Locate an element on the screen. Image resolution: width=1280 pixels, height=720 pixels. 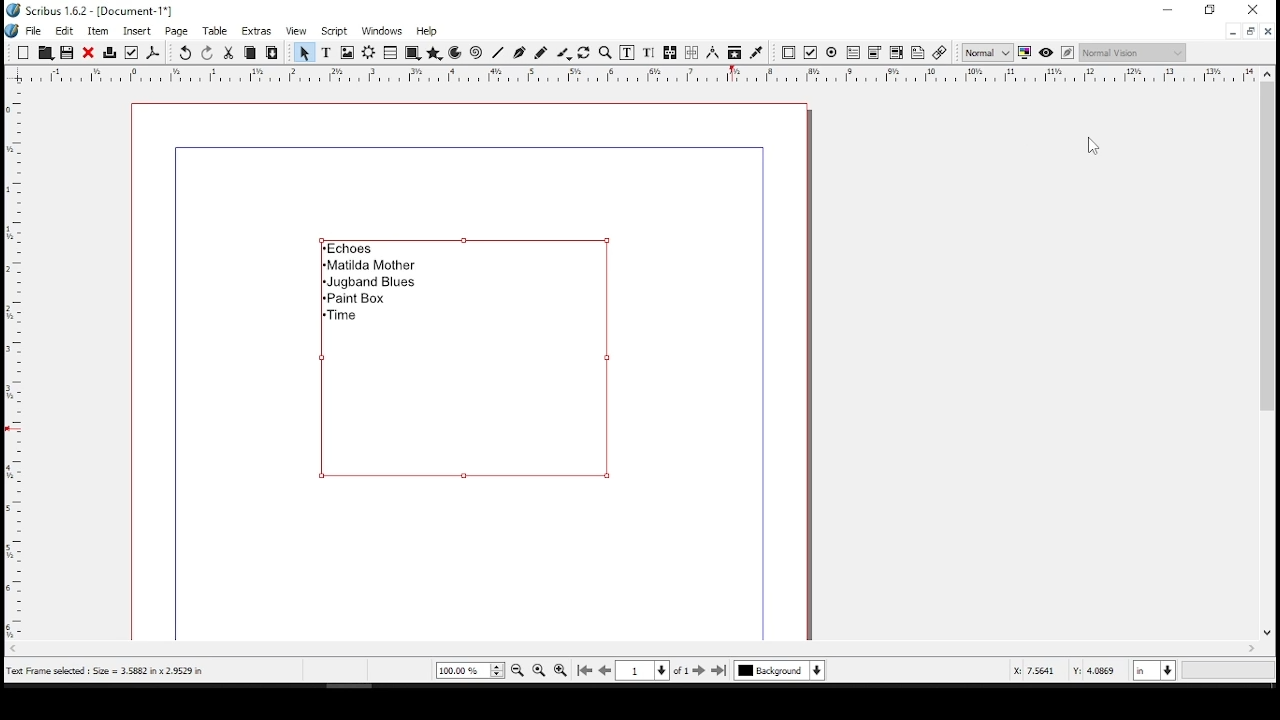
vertical scale is located at coordinates (11, 363).